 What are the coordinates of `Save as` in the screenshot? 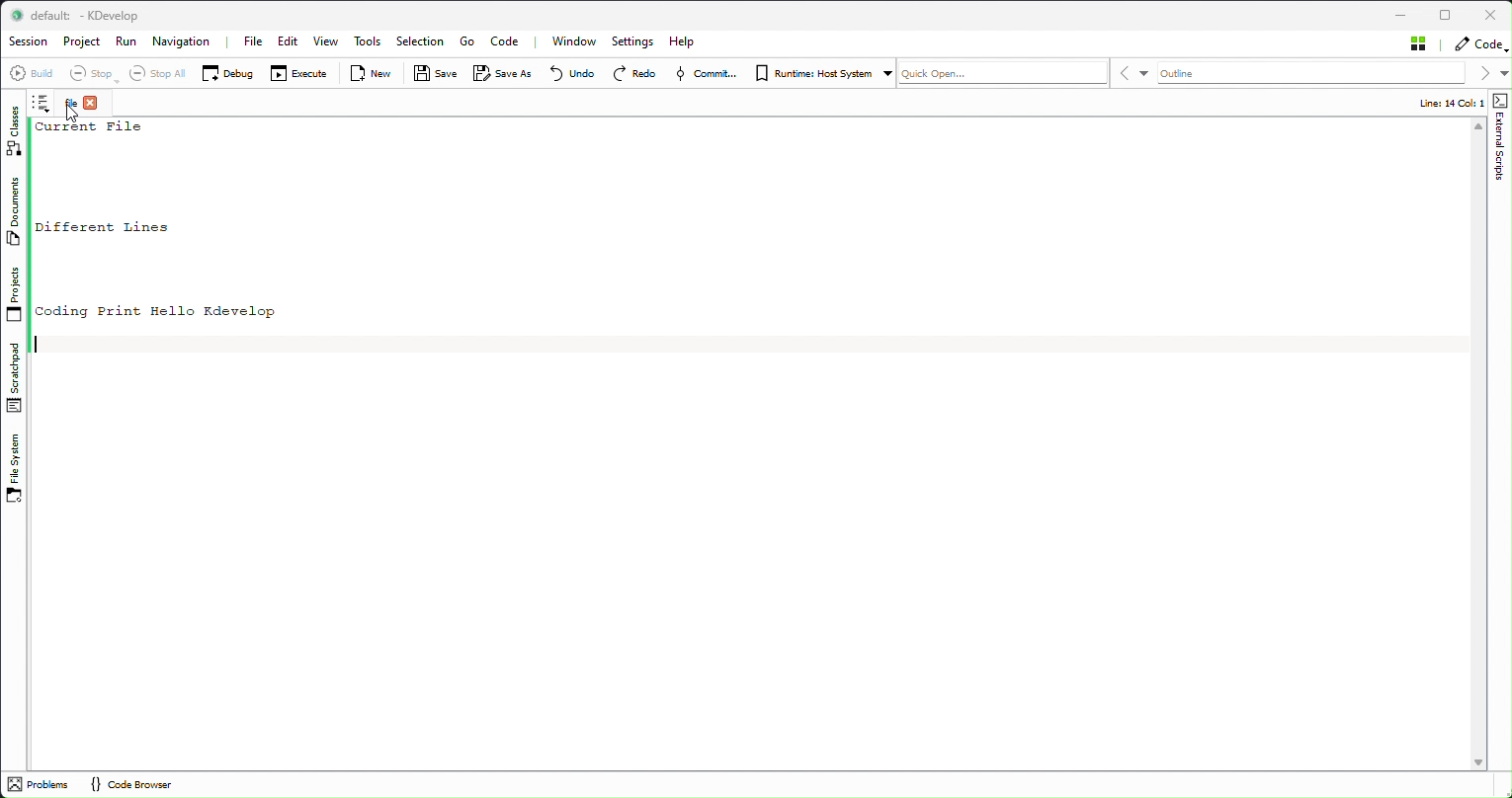 It's located at (502, 74).